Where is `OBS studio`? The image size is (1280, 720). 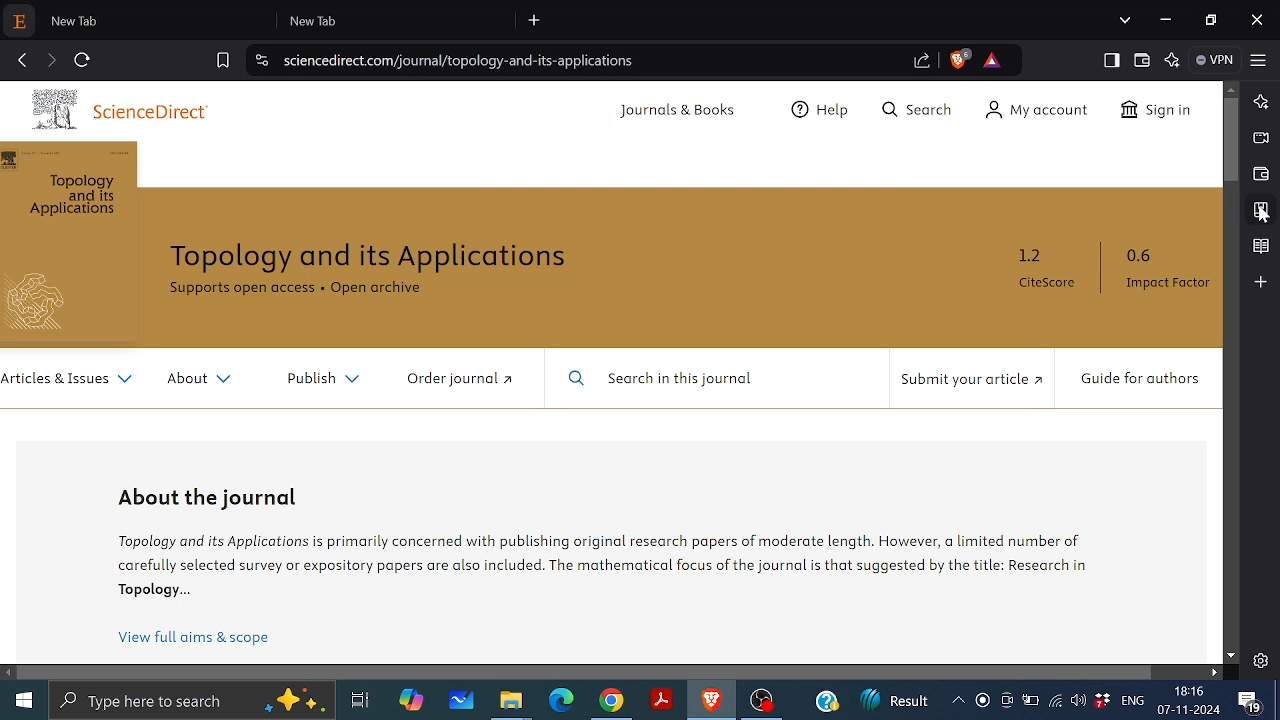 OBS studio is located at coordinates (766, 702).